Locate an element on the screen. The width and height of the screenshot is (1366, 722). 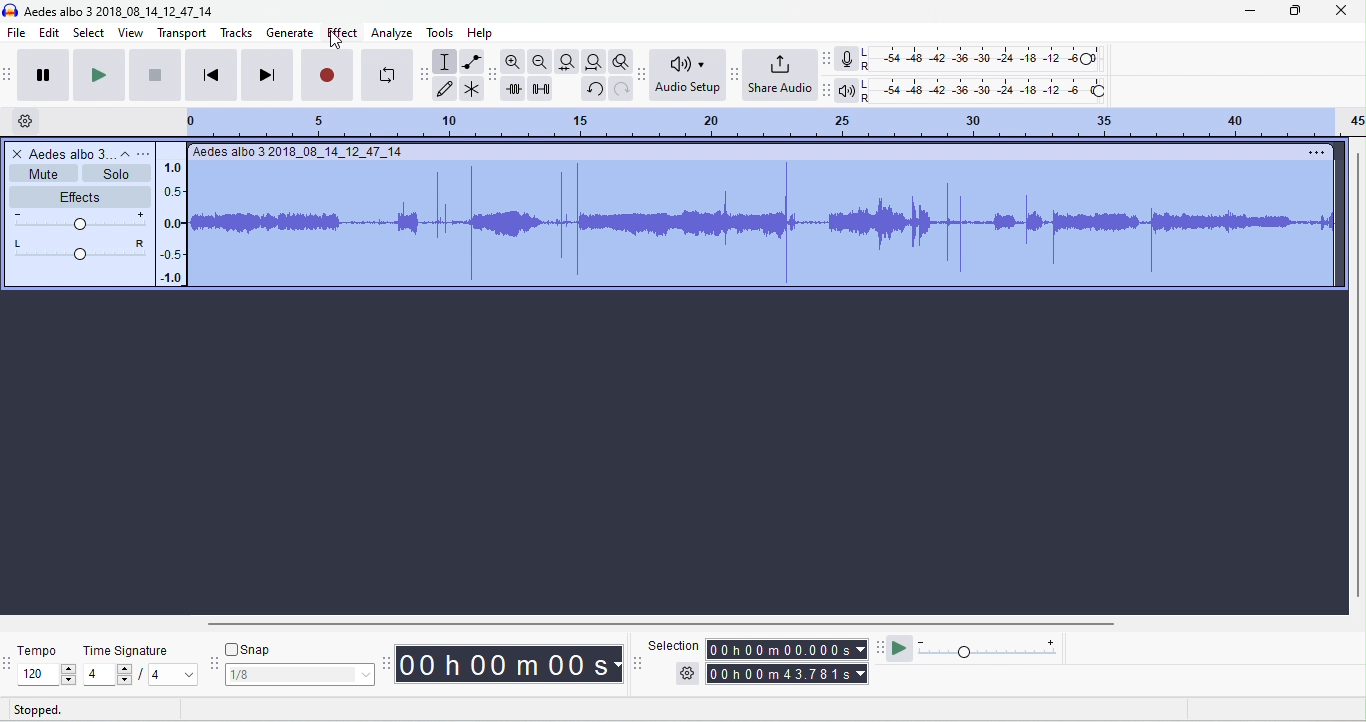
play at speed tool bra is located at coordinates (879, 651).